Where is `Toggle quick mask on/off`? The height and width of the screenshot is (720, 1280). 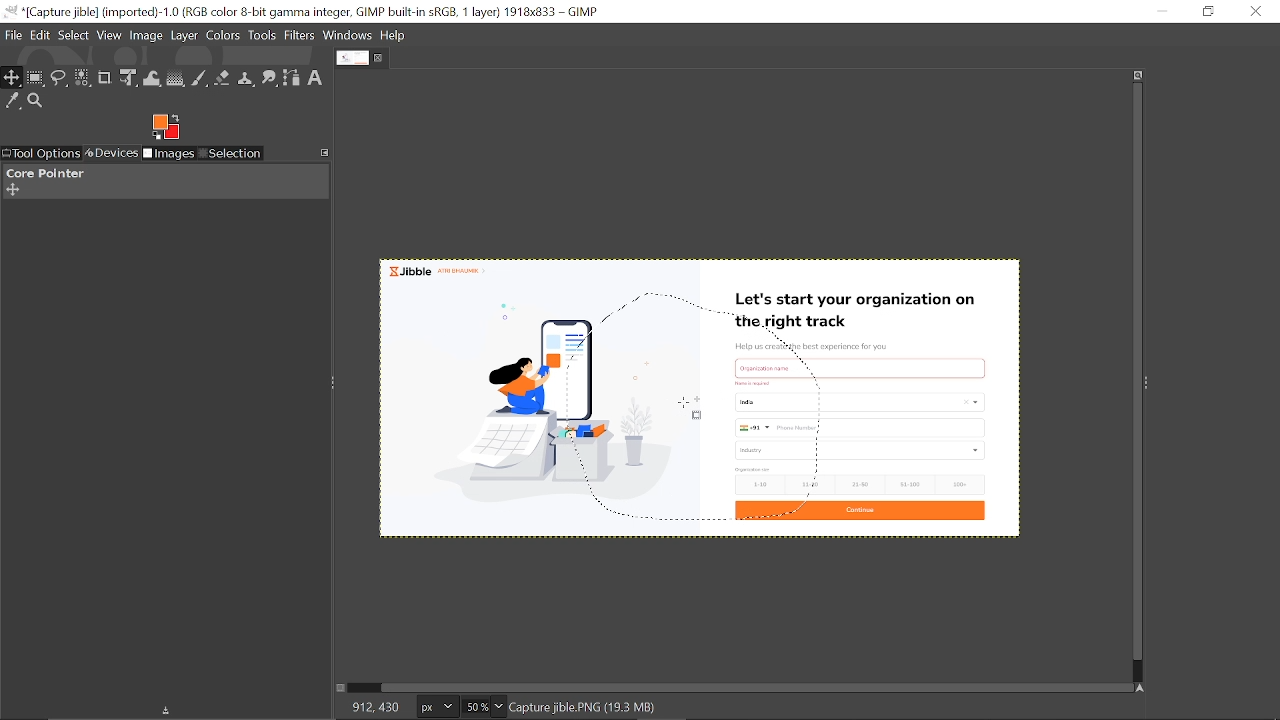 Toggle quick mask on/off is located at coordinates (339, 688).